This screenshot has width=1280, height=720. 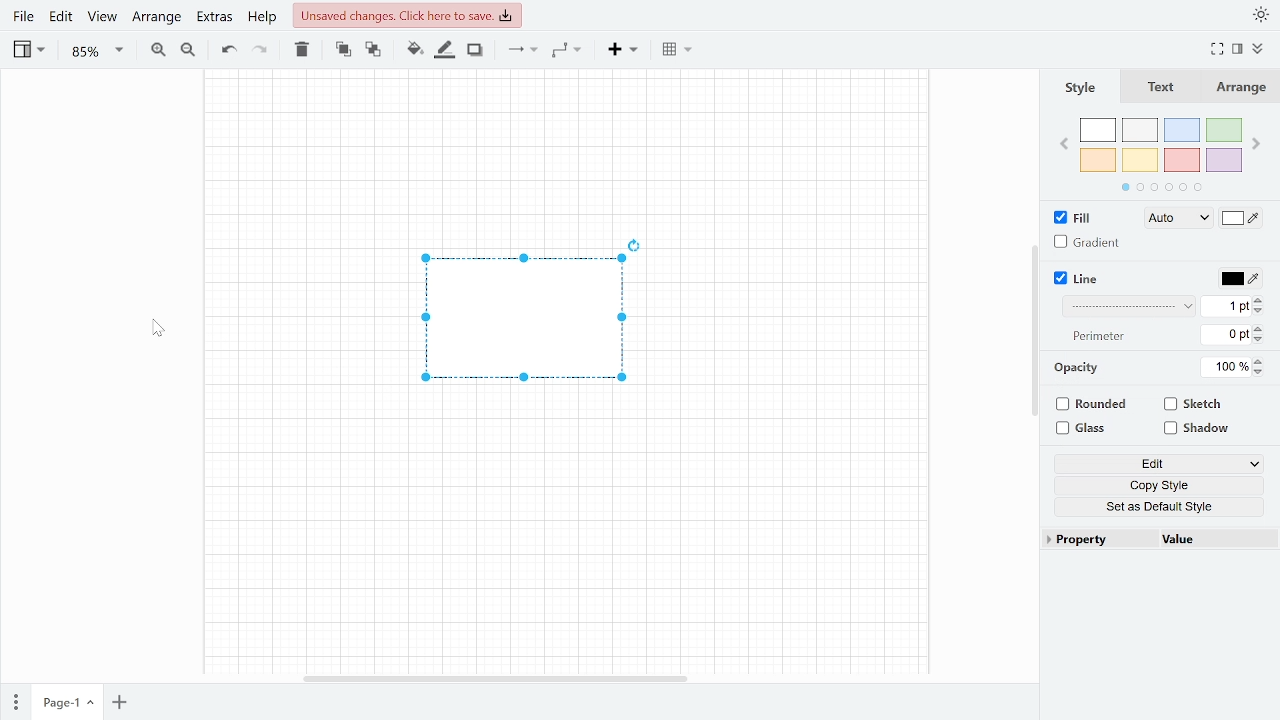 What do you see at coordinates (1241, 278) in the screenshot?
I see `Line color` at bounding box center [1241, 278].